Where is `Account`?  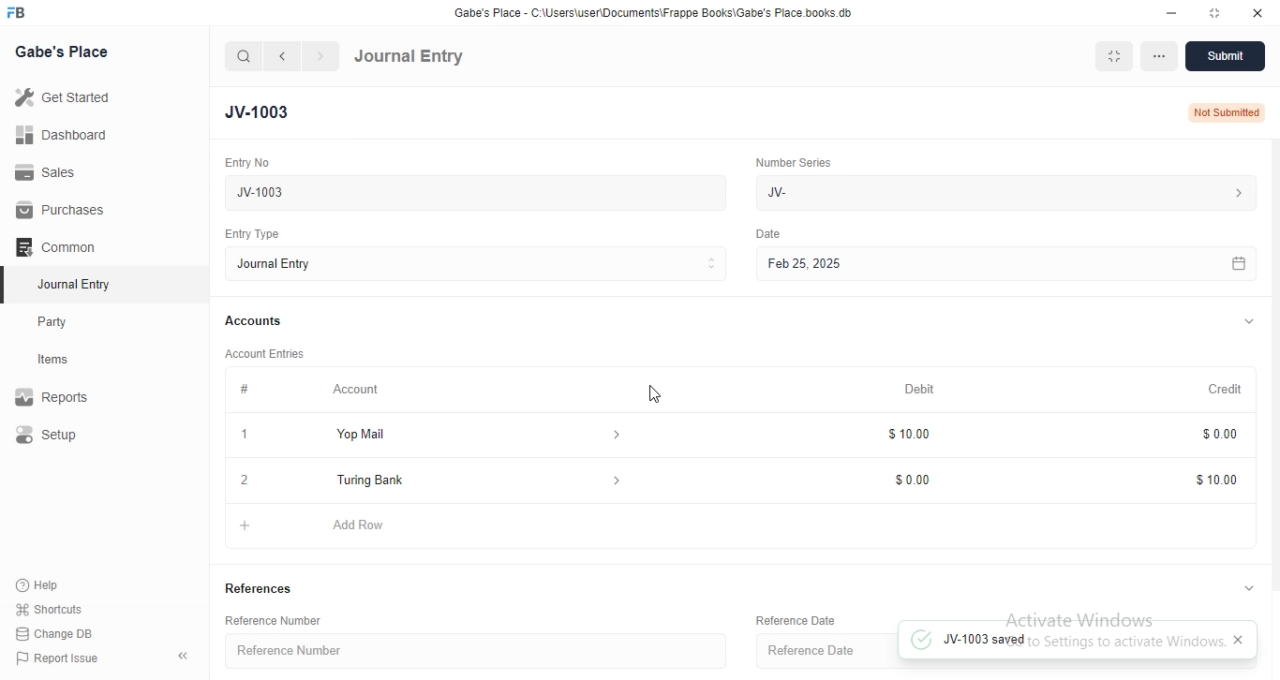 Account is located at coordinates (358, 391).